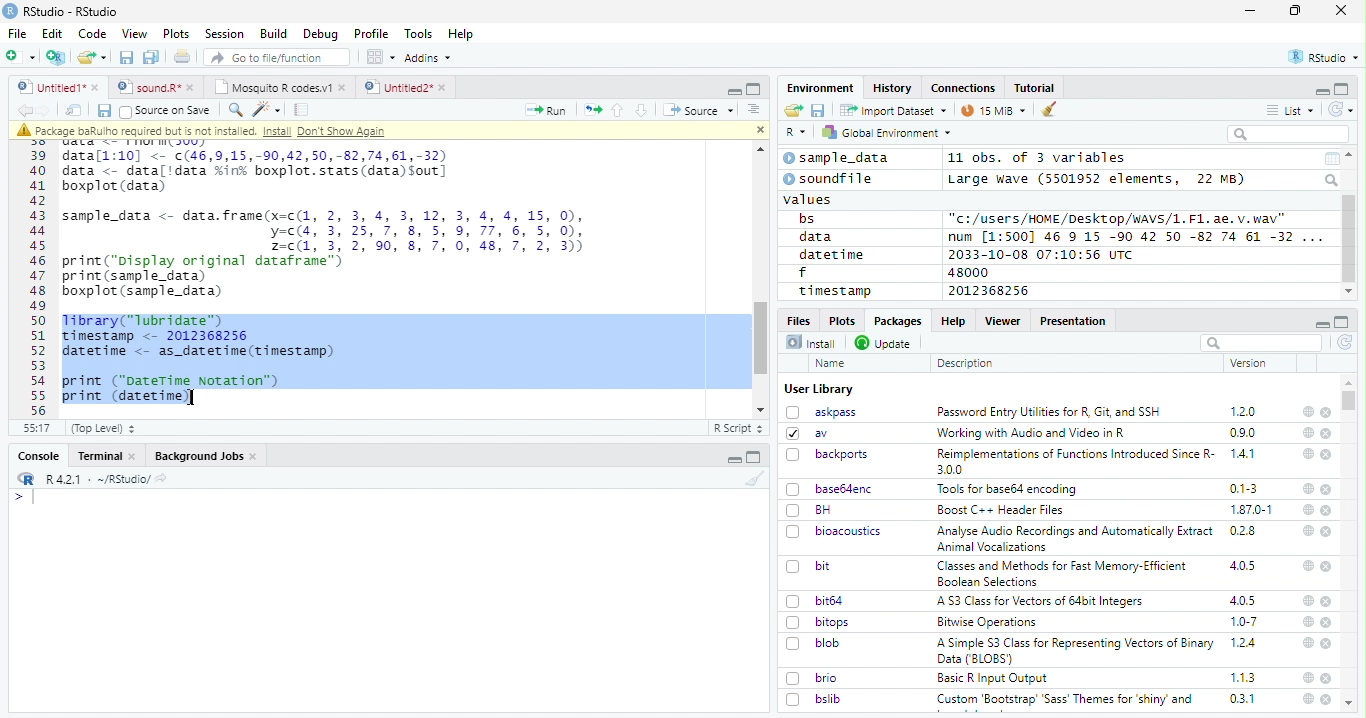  What do you see at coordinates (815, 601) in the screenshot?
I see `bit64` at bounding box center [815, 601].